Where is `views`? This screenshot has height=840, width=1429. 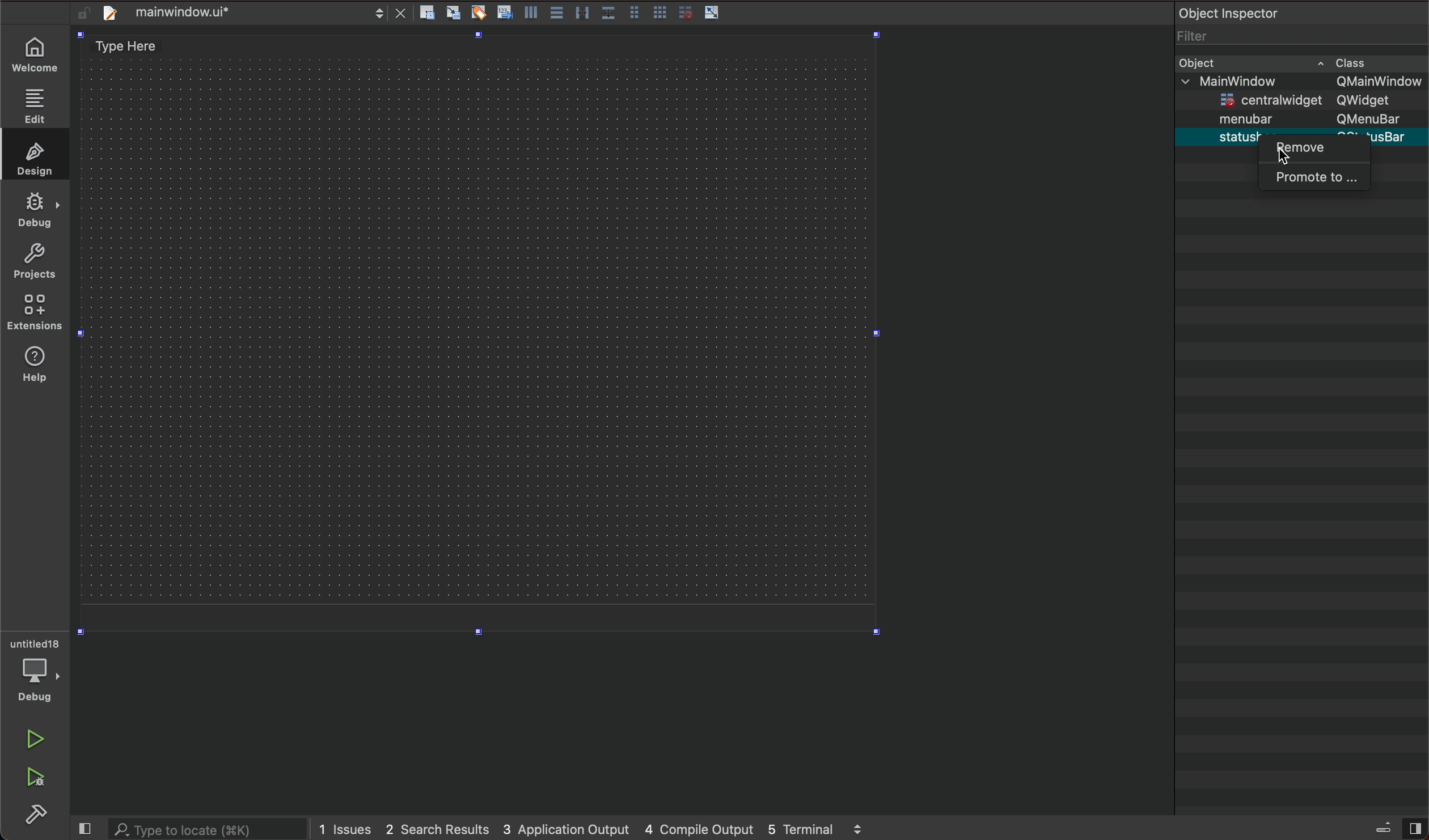 views is located at coordinates (1398, 827).